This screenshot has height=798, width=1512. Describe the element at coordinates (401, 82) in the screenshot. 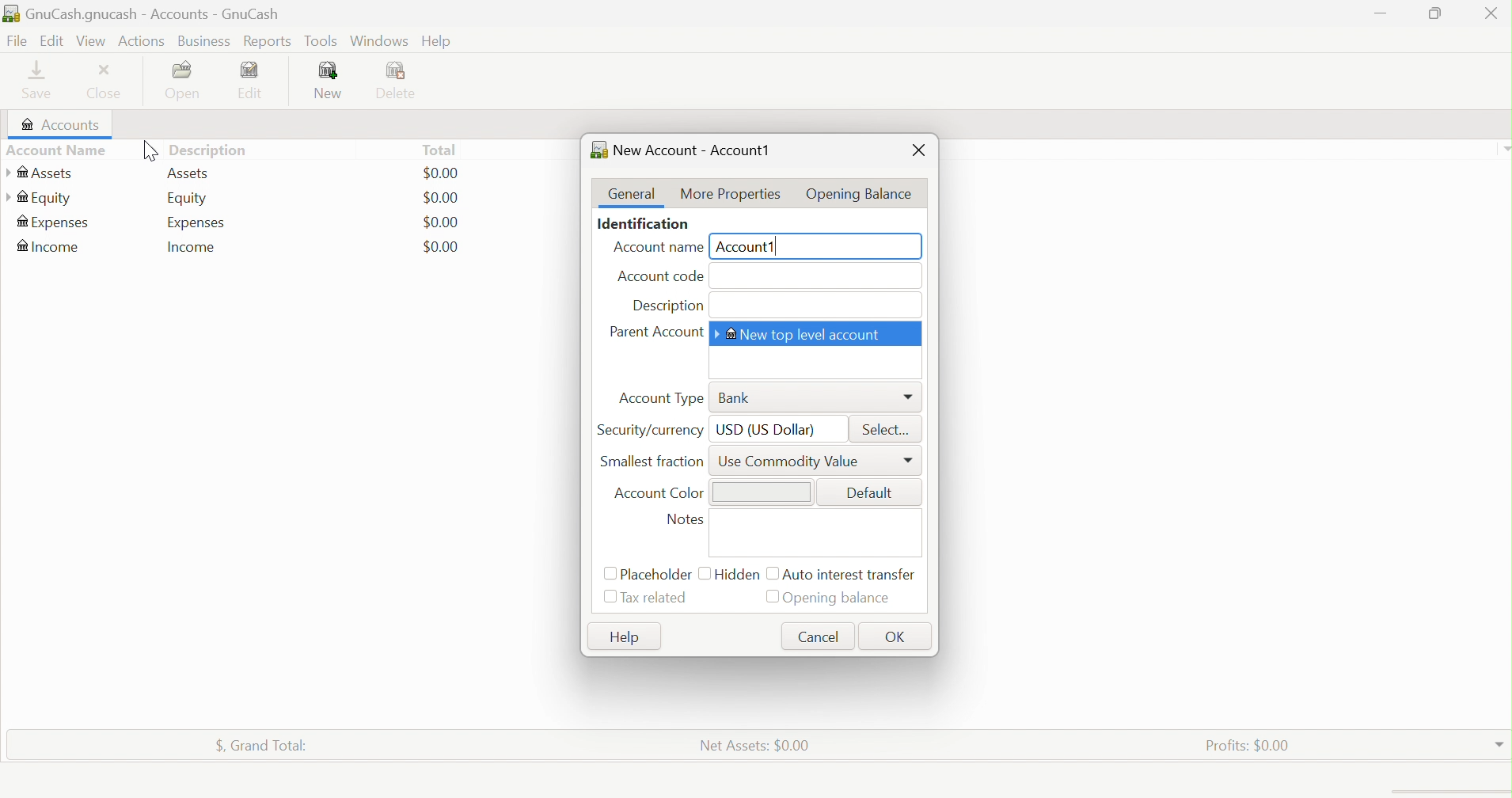

I see `Delete` at that location.